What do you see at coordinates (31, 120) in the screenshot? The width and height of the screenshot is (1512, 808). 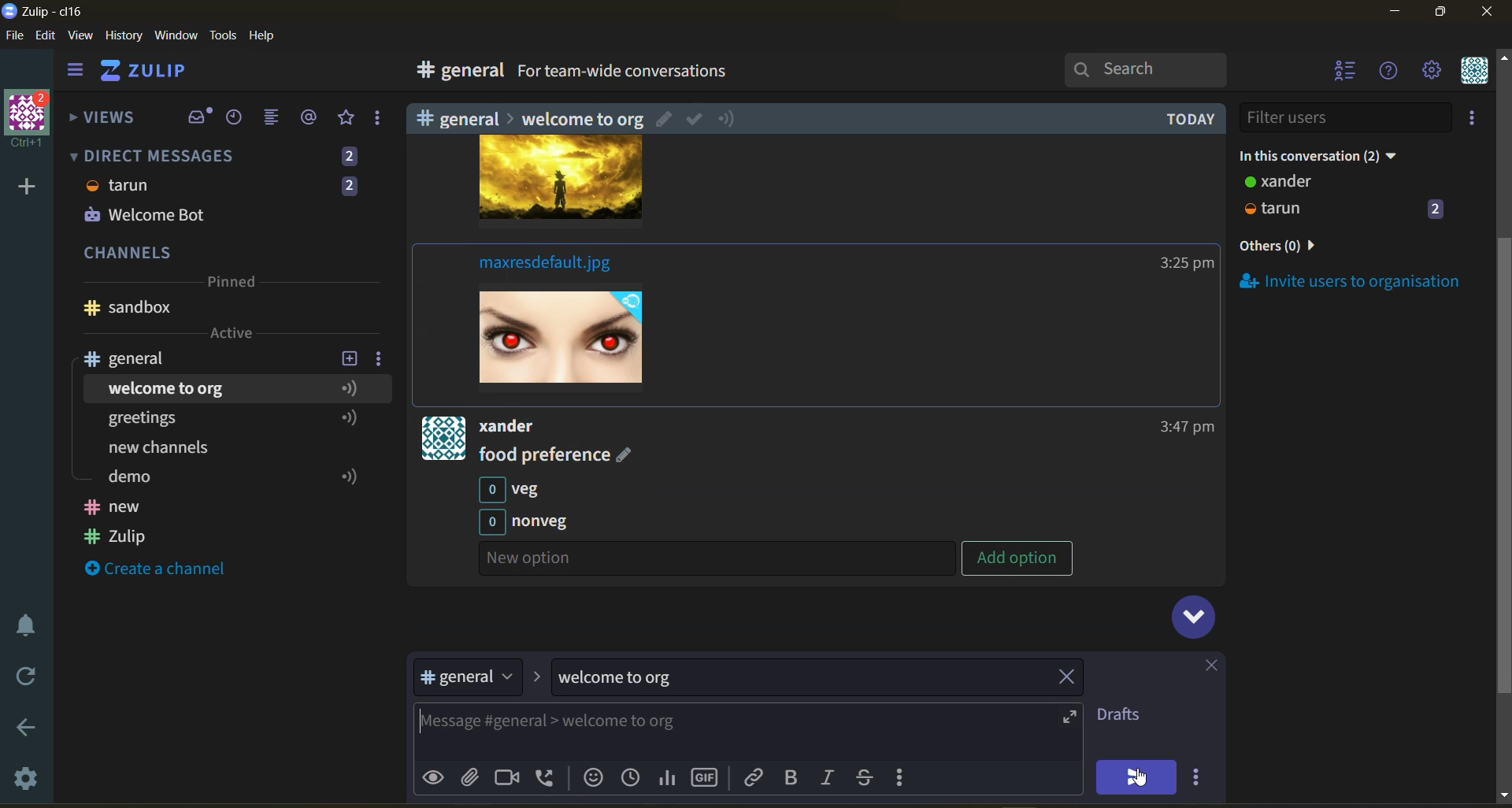 I see `organisation` at bounding box center [31, 120].